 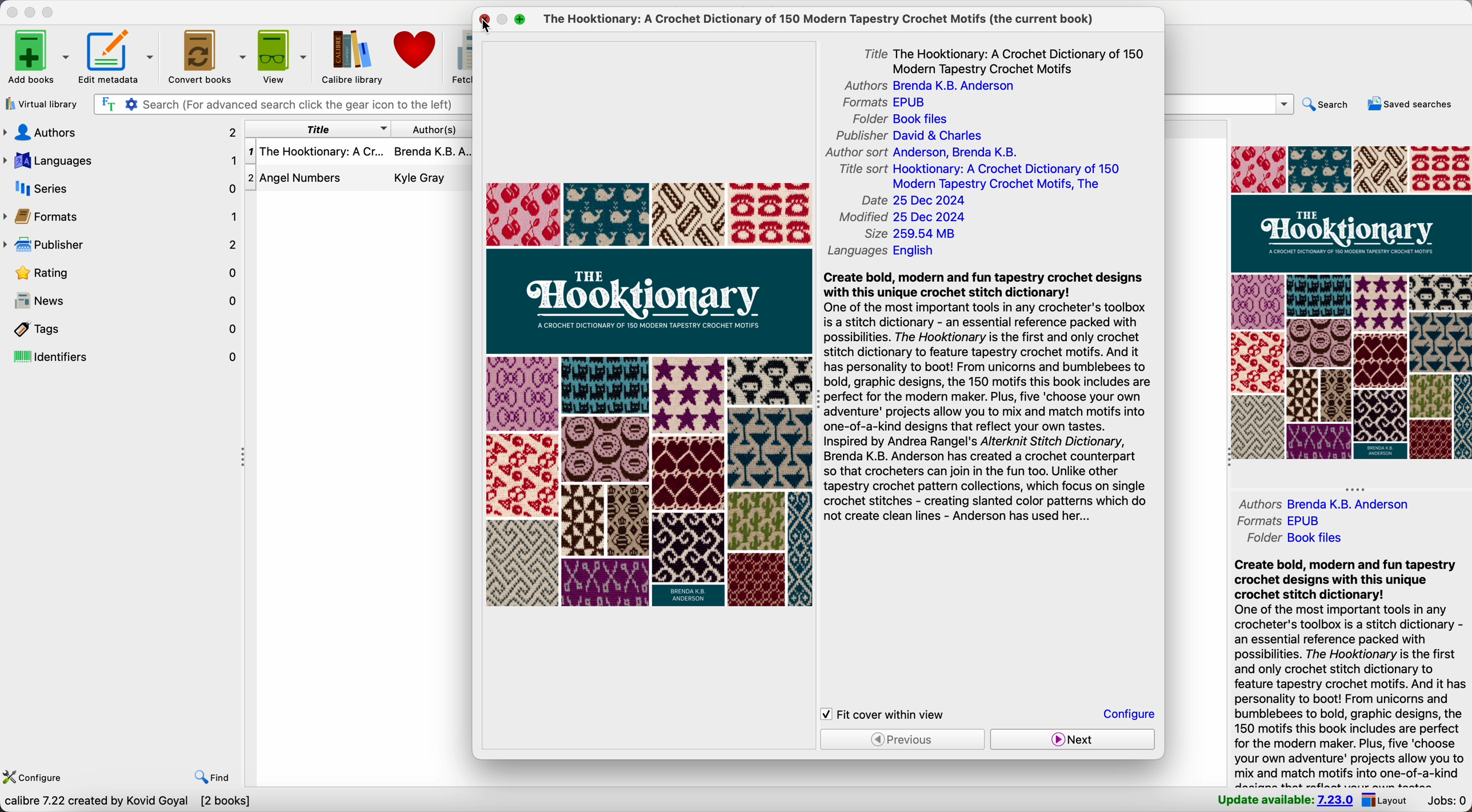 I want to click on maximize, so click(x=520, y=21).